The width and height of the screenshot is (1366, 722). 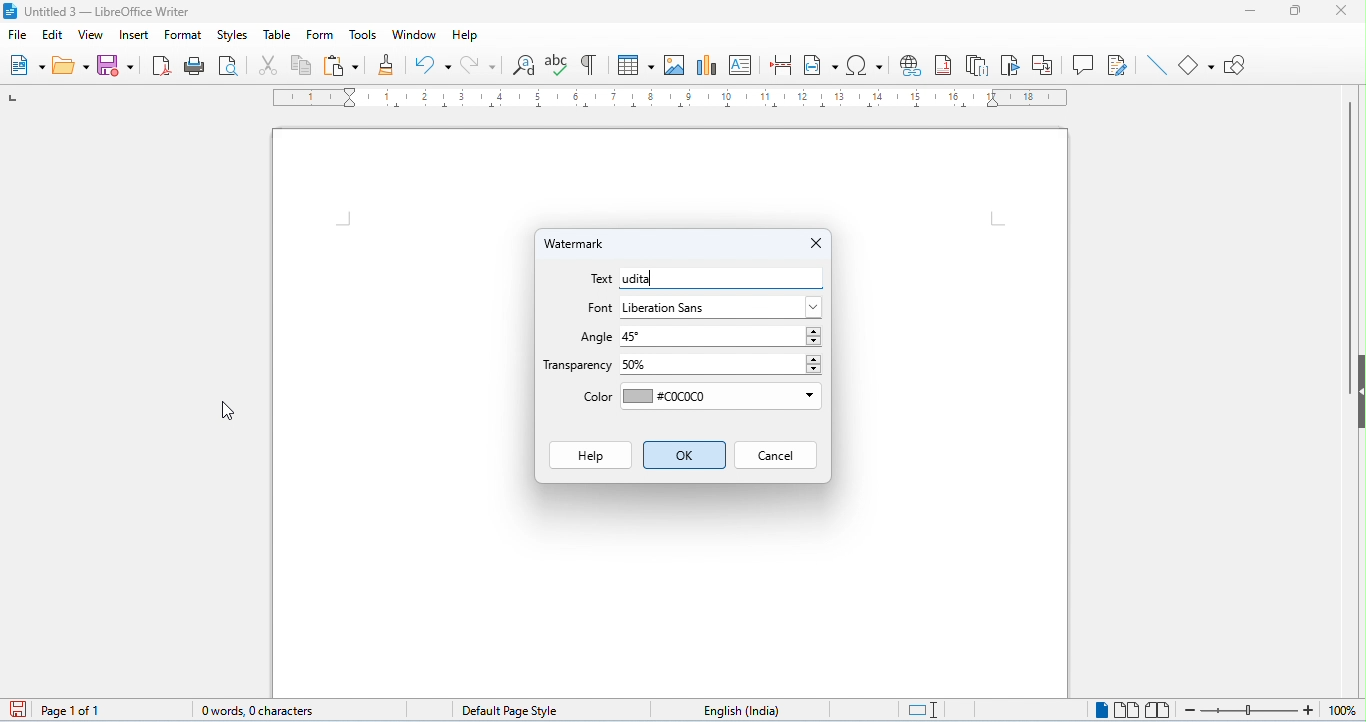 I want to click on styles, so click(x=232, y=35).